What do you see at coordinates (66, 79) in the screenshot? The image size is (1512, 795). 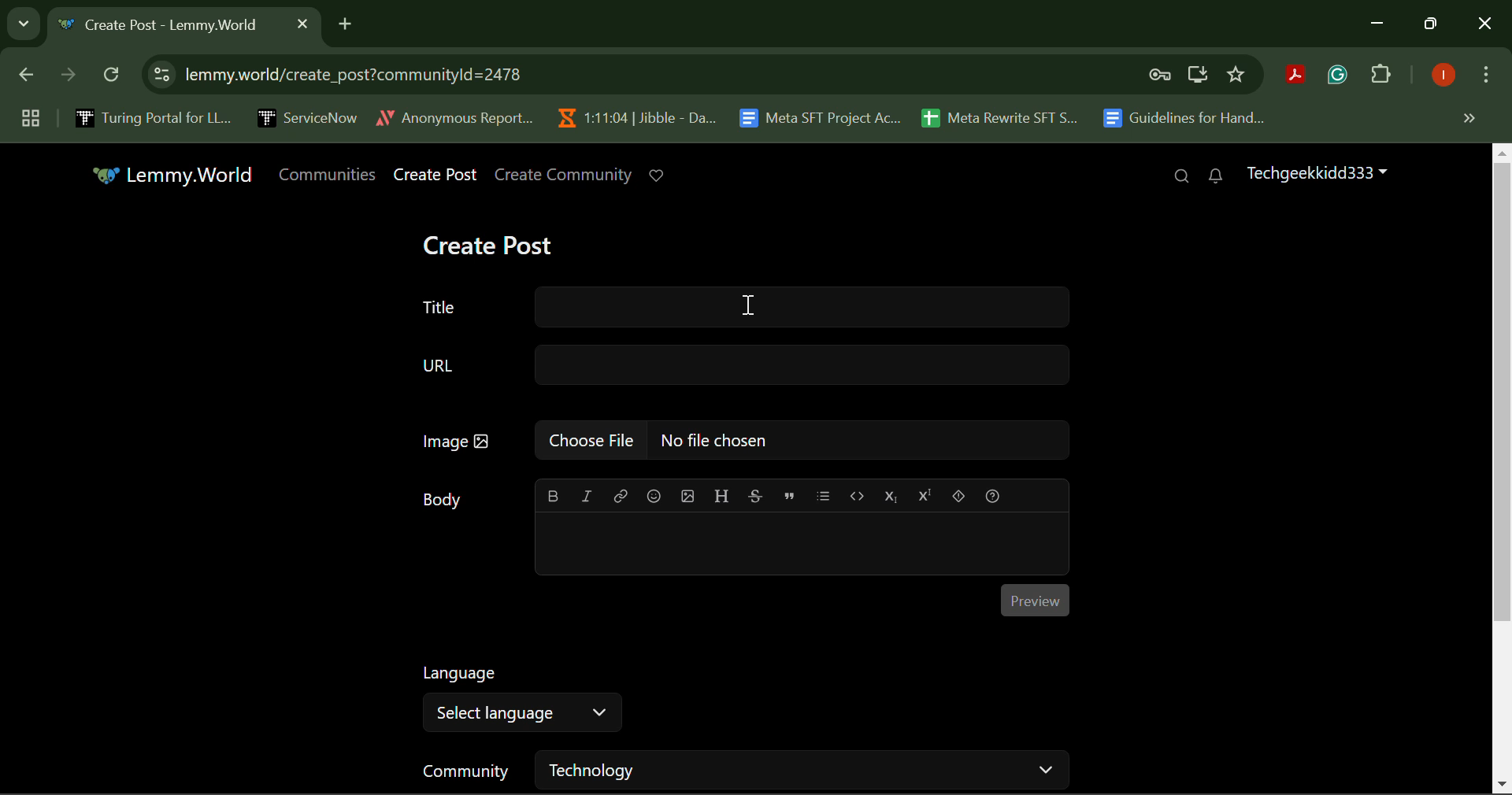 I see `Next Page ` at bounding box center [66, 79].